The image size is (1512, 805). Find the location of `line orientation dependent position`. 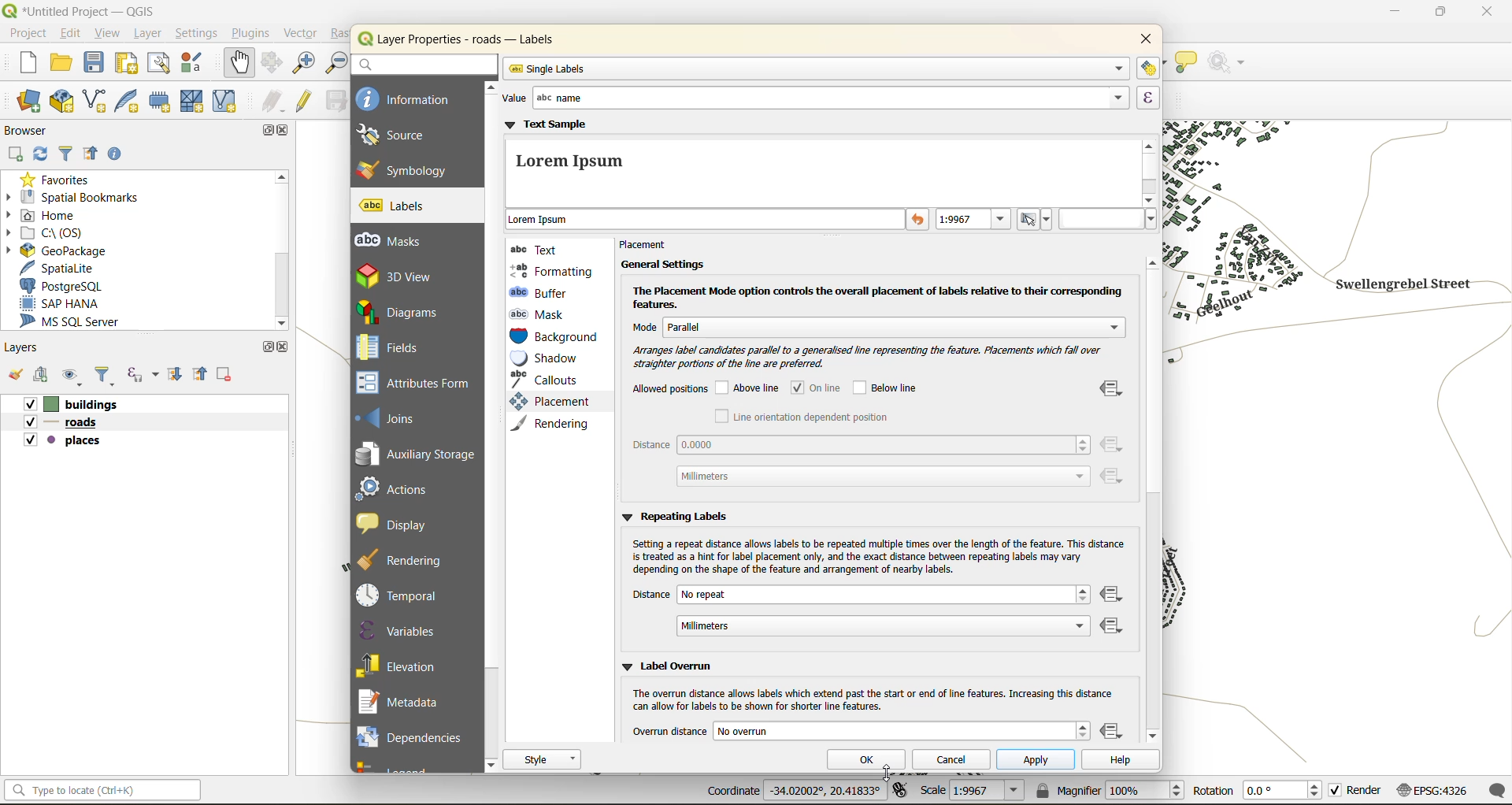

line orientation dependent position is located at coordinates (800, 417).